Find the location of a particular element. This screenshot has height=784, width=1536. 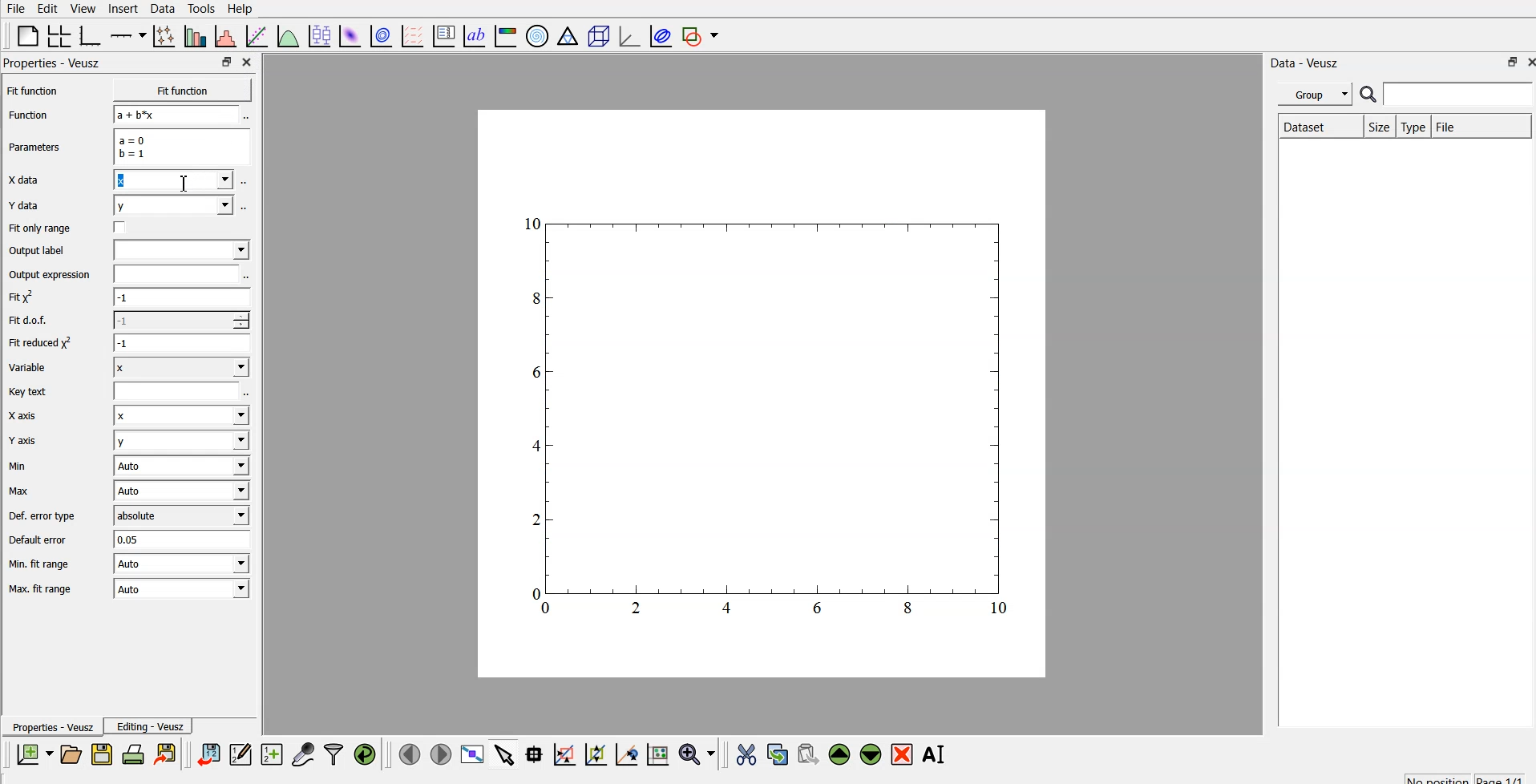

search for dataset names is located at coordinates (1457, 94).